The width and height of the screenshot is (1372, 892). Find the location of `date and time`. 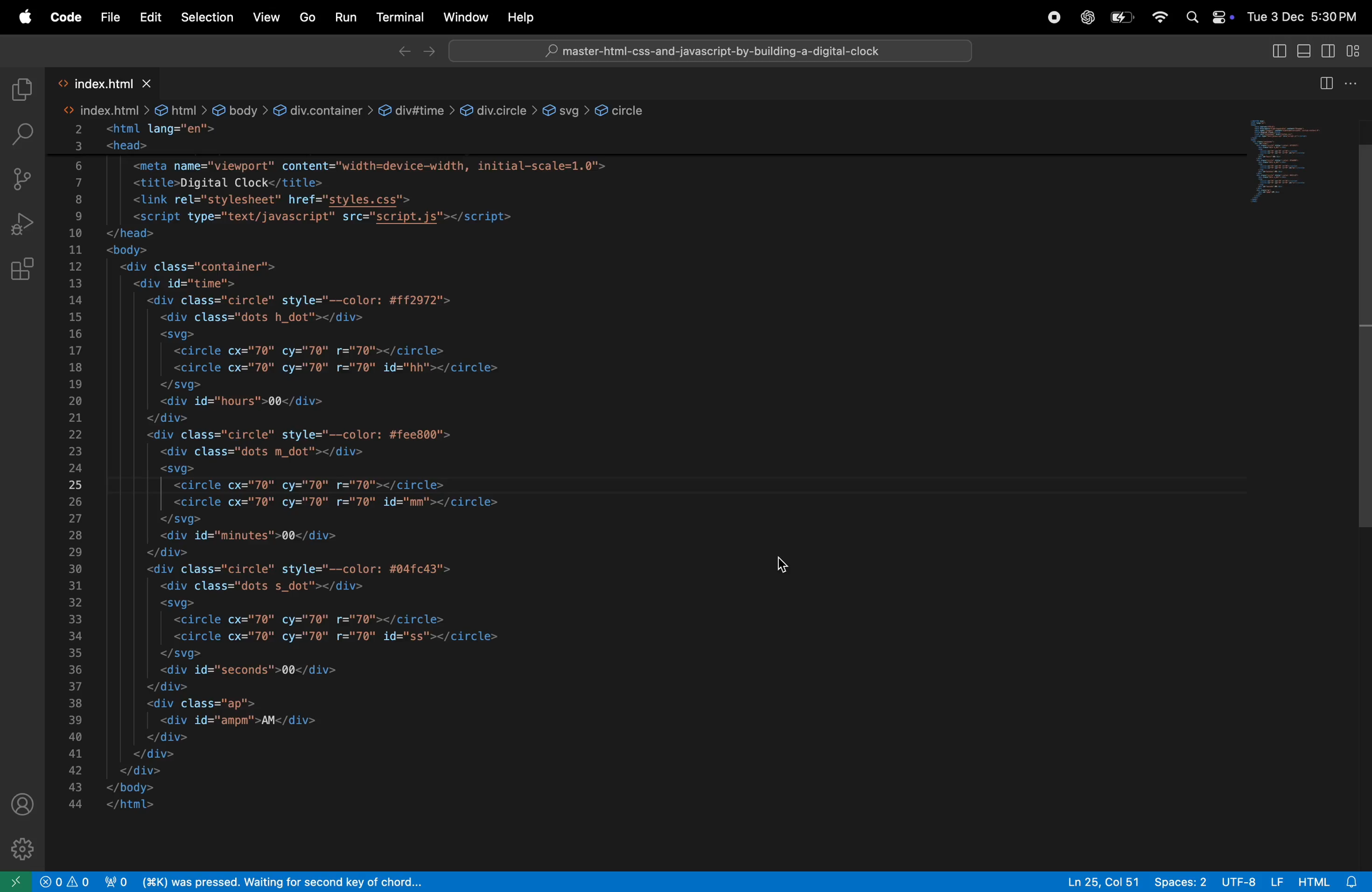

date and time is located at coordinates (1301, 17).